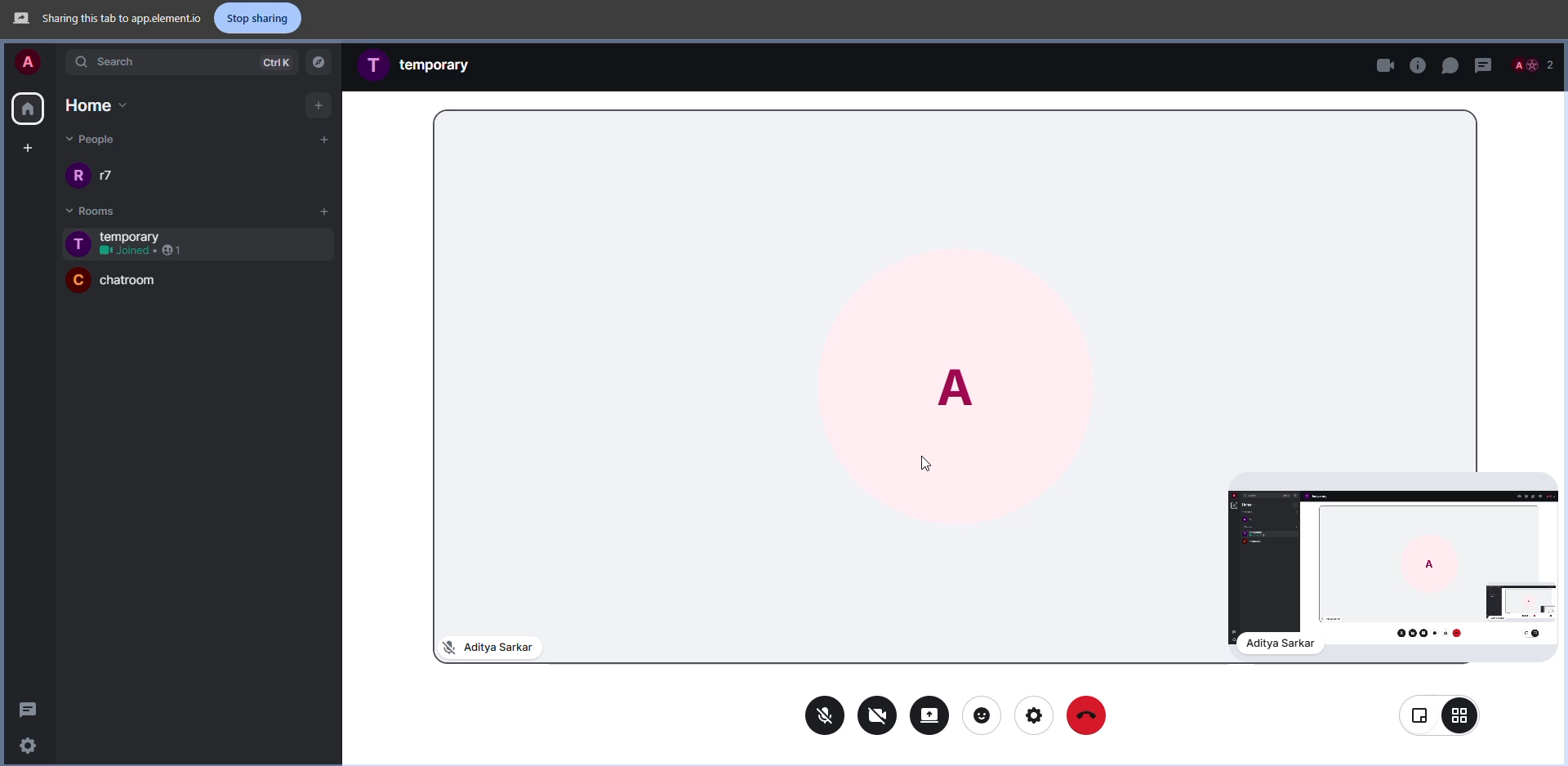 This screenshot has width=1568, height=766. I want to click on search, so click(127, 60).